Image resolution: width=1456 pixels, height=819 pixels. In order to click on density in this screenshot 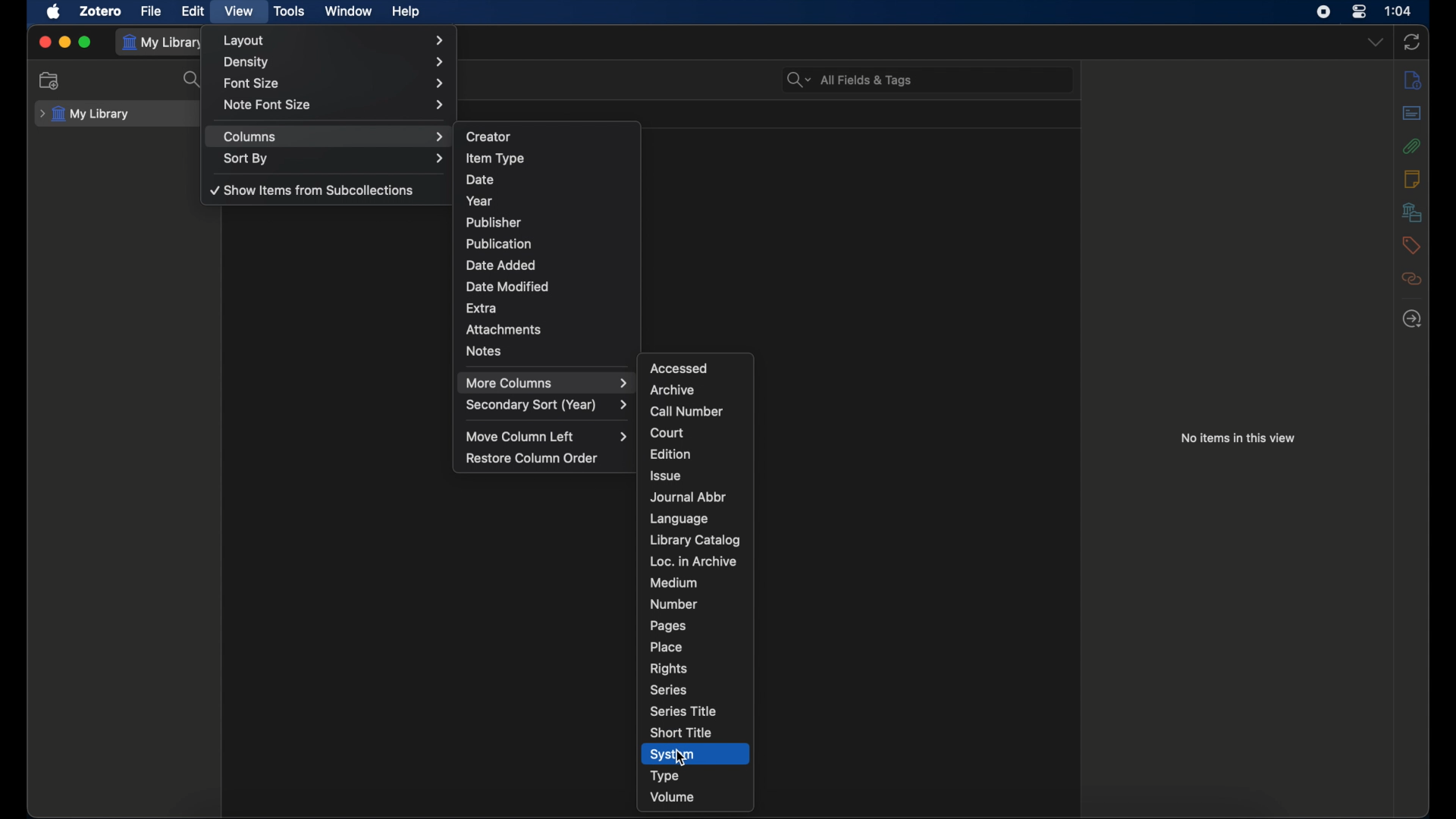, I will do `click(332, 62)`.